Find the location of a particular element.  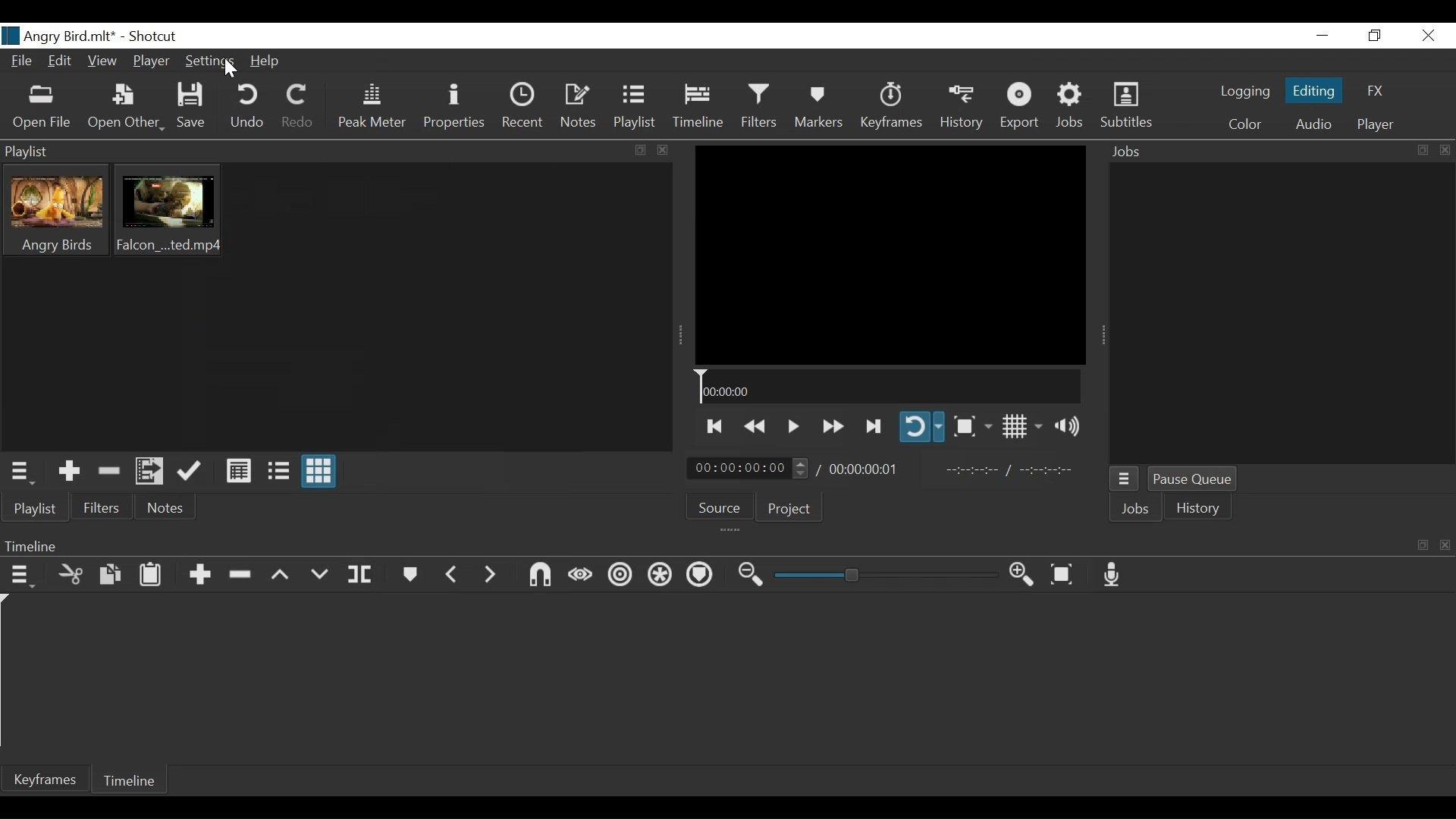

Filter is located at coordinates (759, 108).